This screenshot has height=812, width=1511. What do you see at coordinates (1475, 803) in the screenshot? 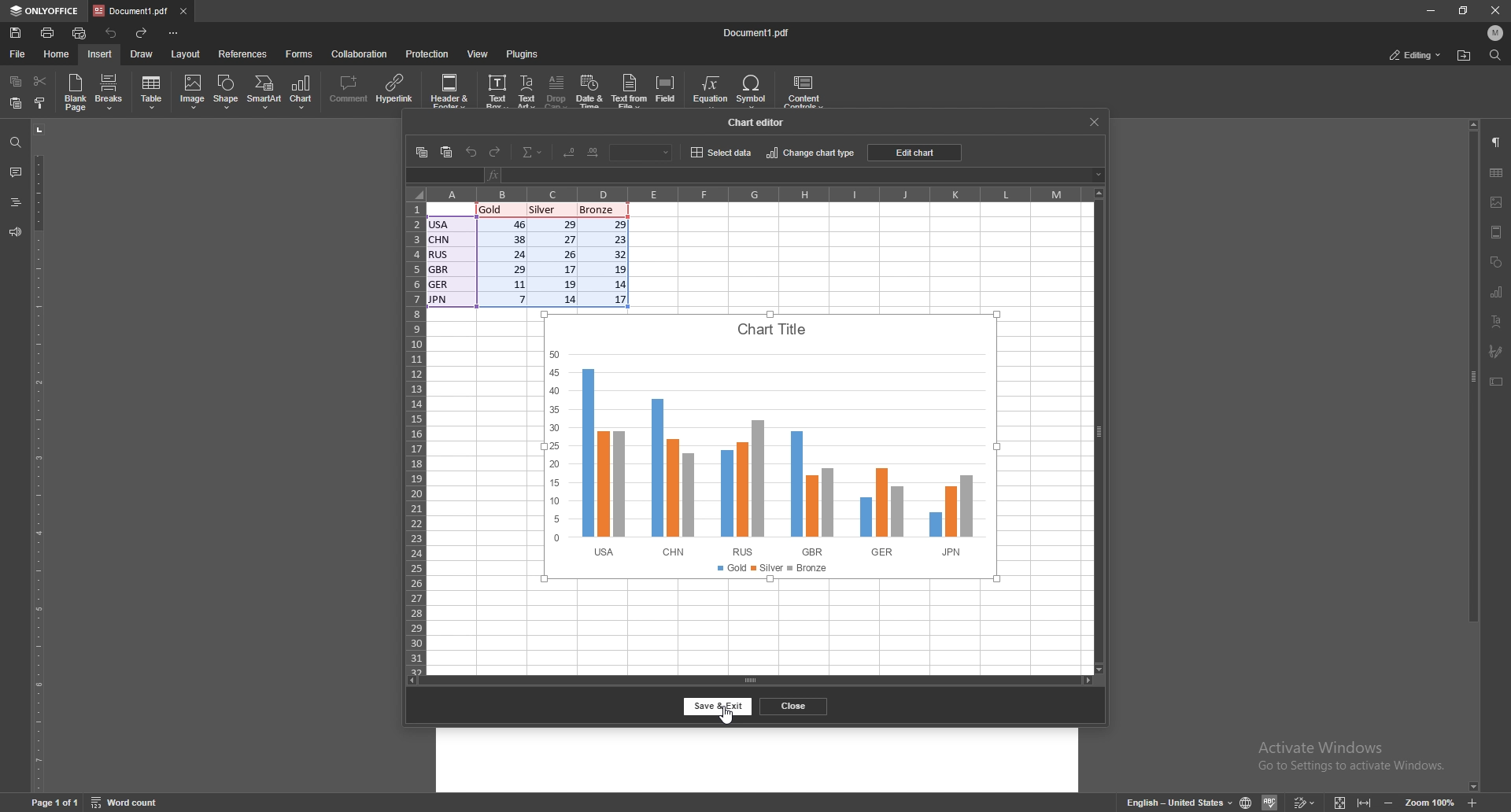
I see `zoom in` at bounding box center [1475, 803].